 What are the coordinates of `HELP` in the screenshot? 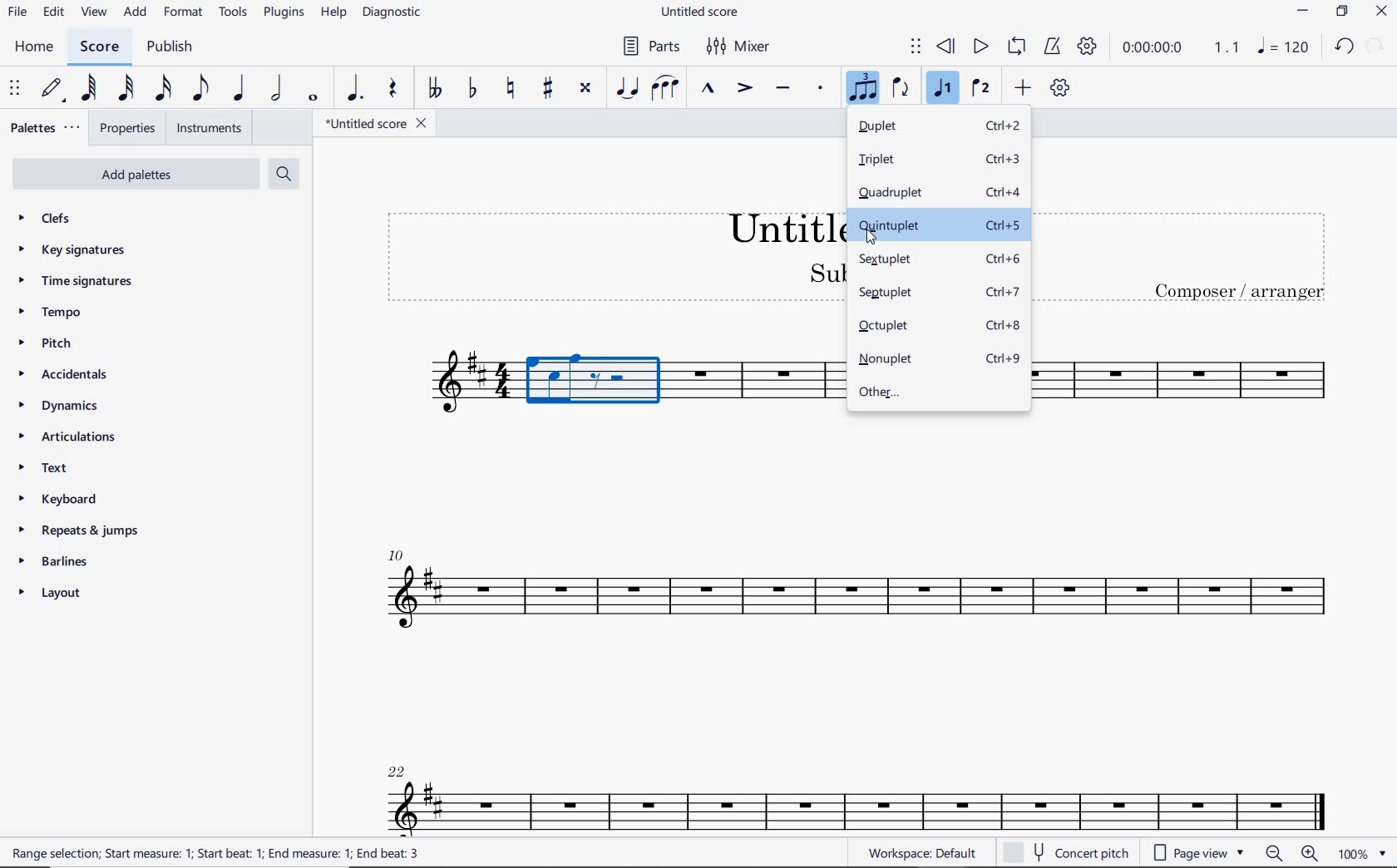 It's located at (333, 14).